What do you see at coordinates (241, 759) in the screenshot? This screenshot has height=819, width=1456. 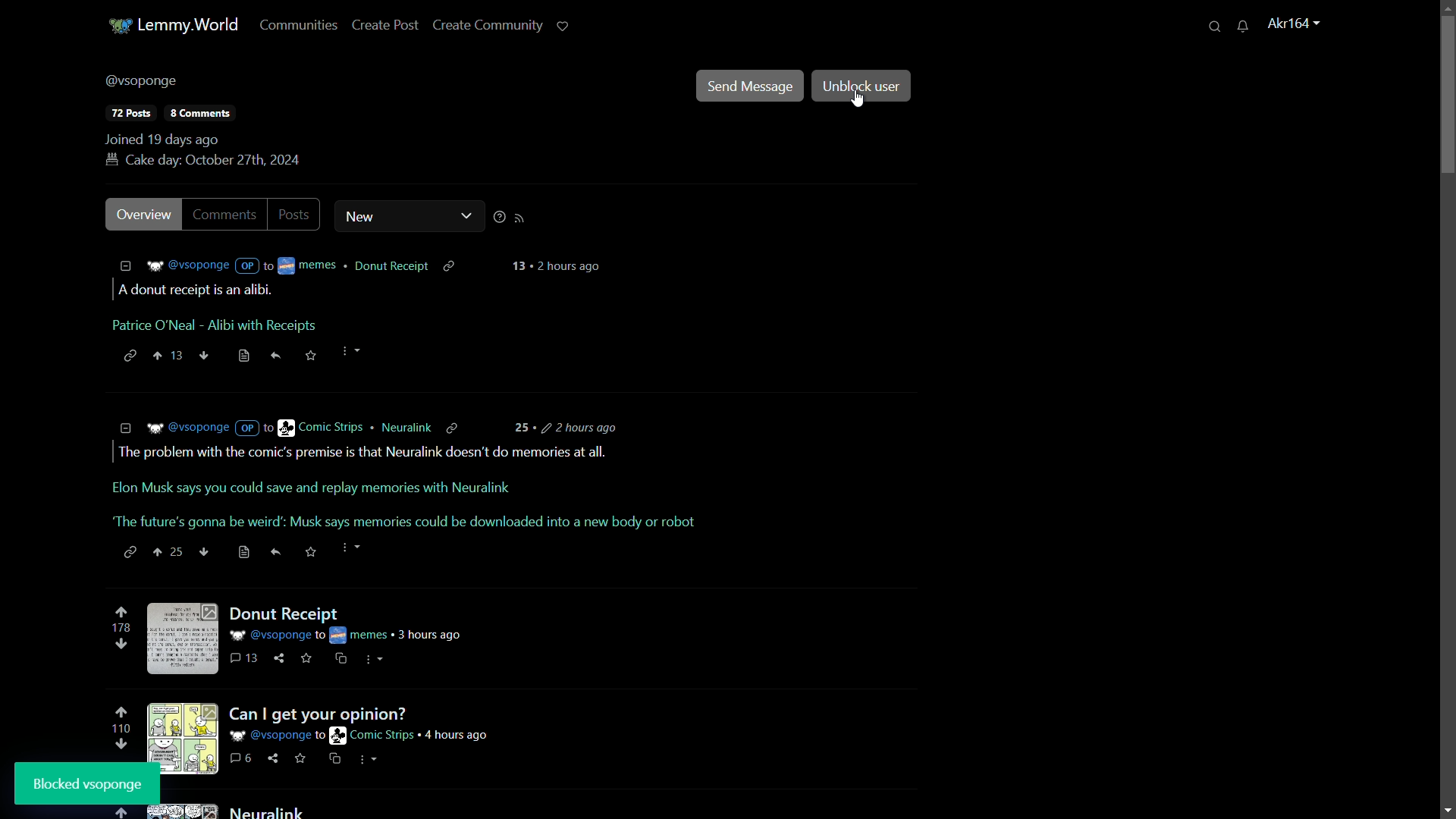 I see `comments` at bounding box center [241, 759].